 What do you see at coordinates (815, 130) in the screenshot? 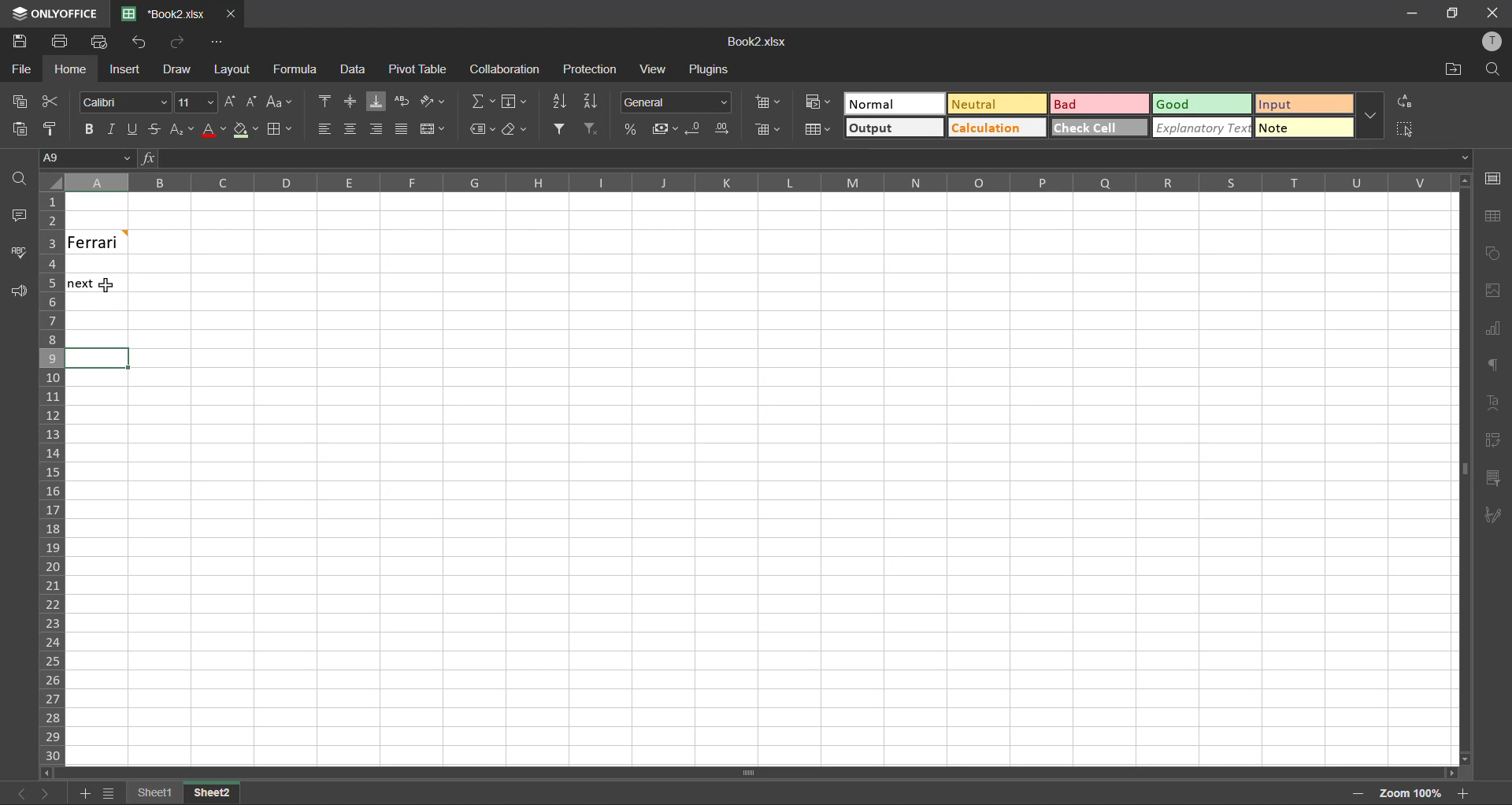
I see `format as table` at bounding box center [815, 130].